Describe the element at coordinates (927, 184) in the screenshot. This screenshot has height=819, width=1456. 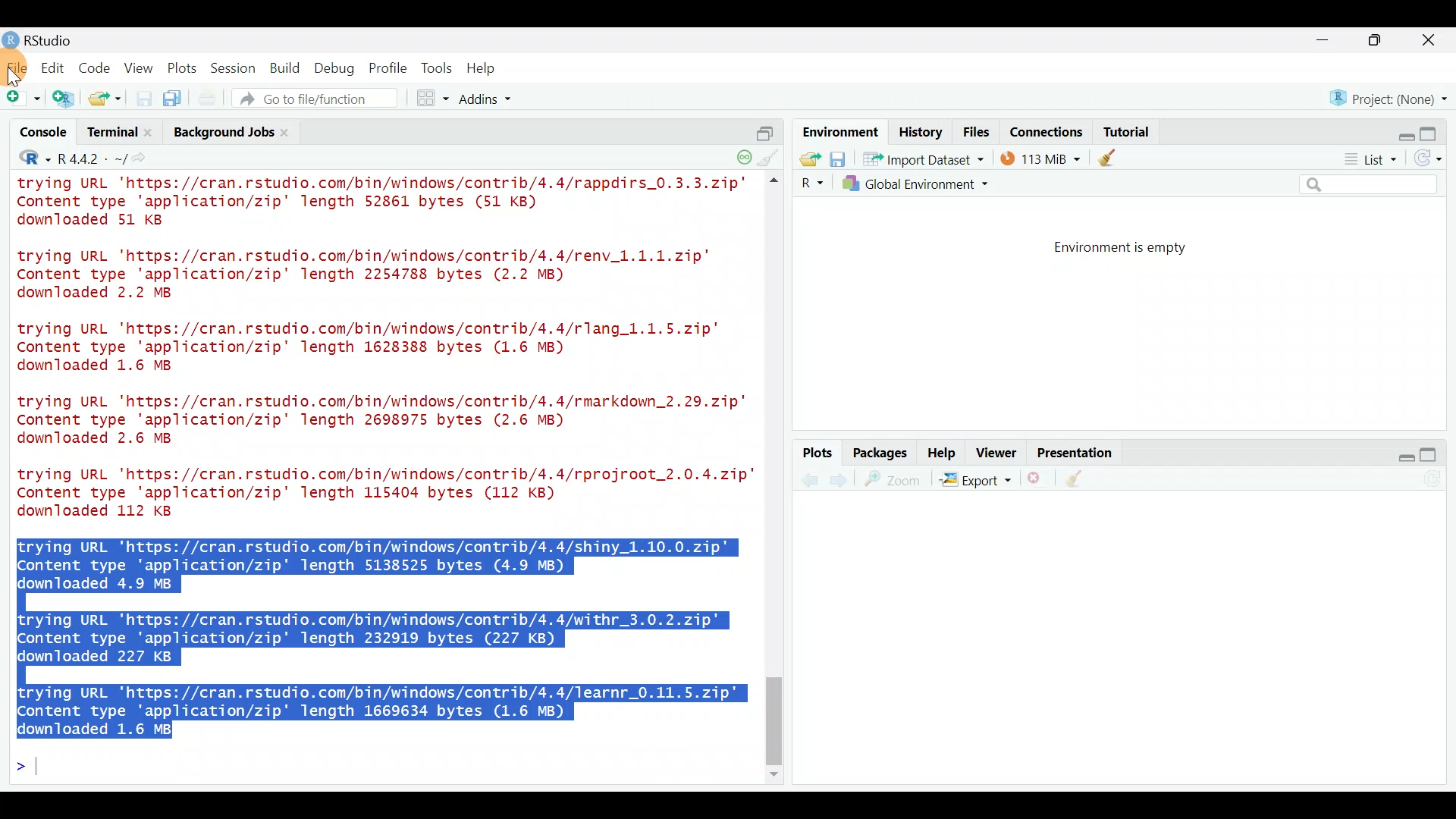
I see `Global Environment` at that location.